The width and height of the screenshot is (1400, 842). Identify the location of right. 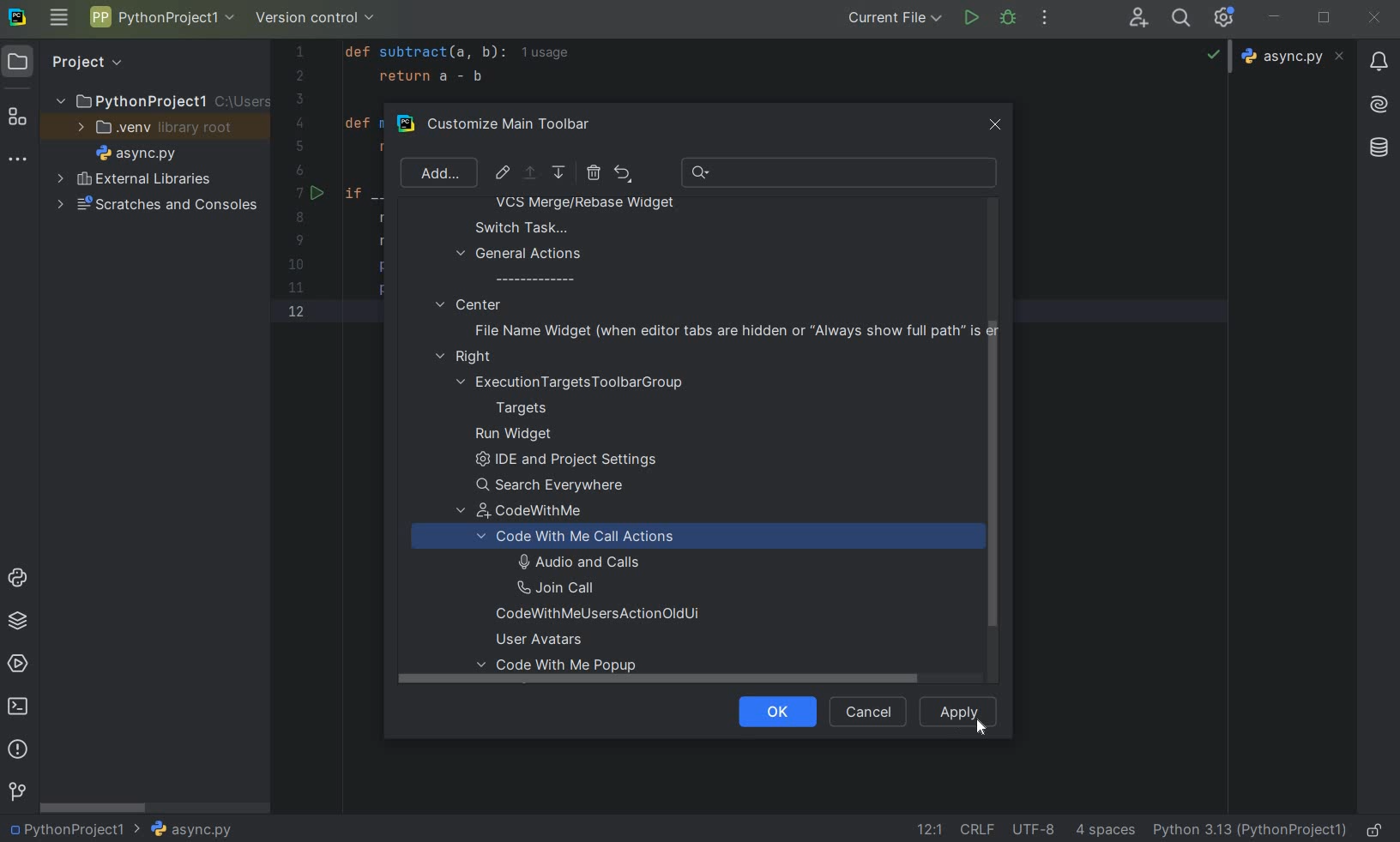
(468, 358).